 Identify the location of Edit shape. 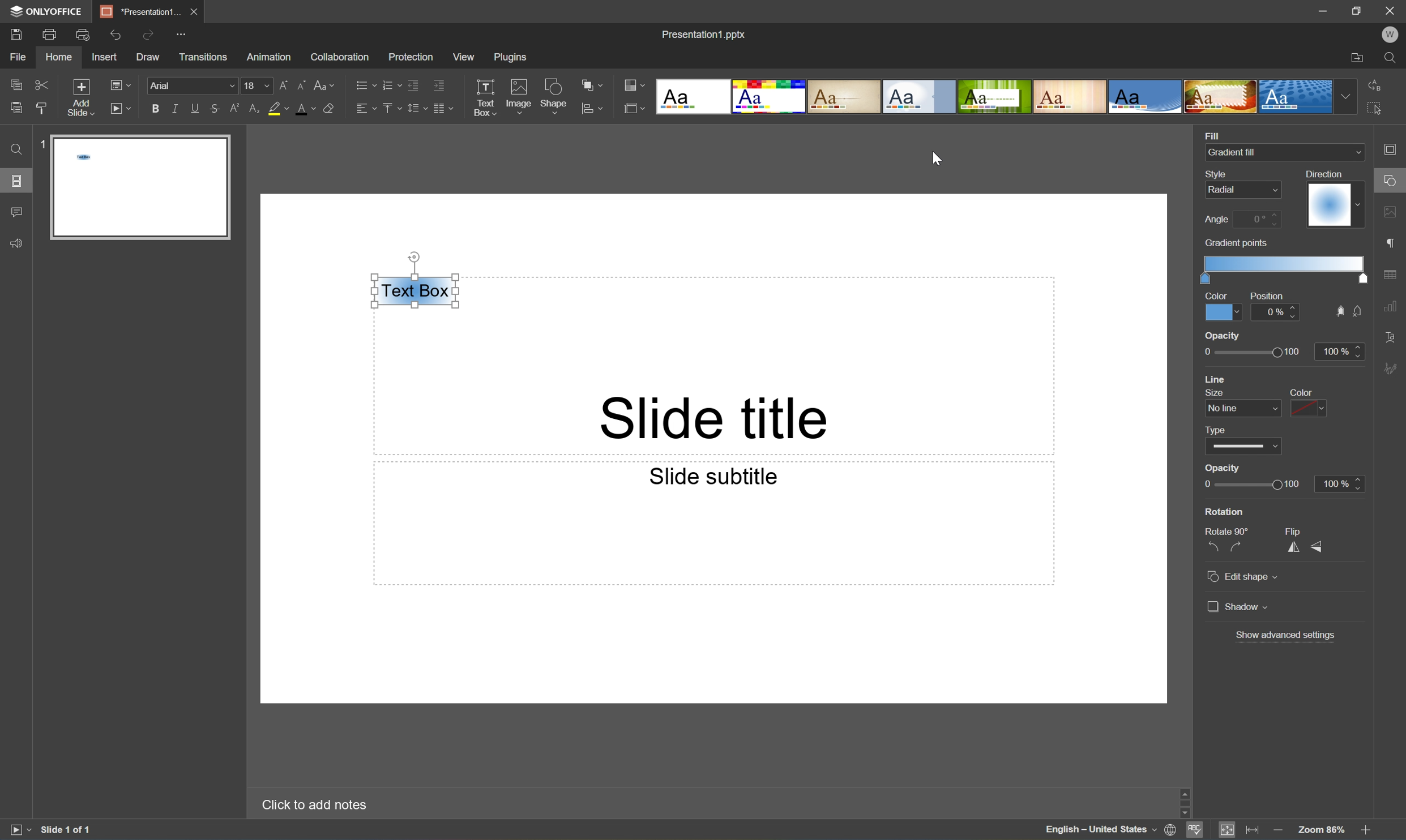
(1242, 578).